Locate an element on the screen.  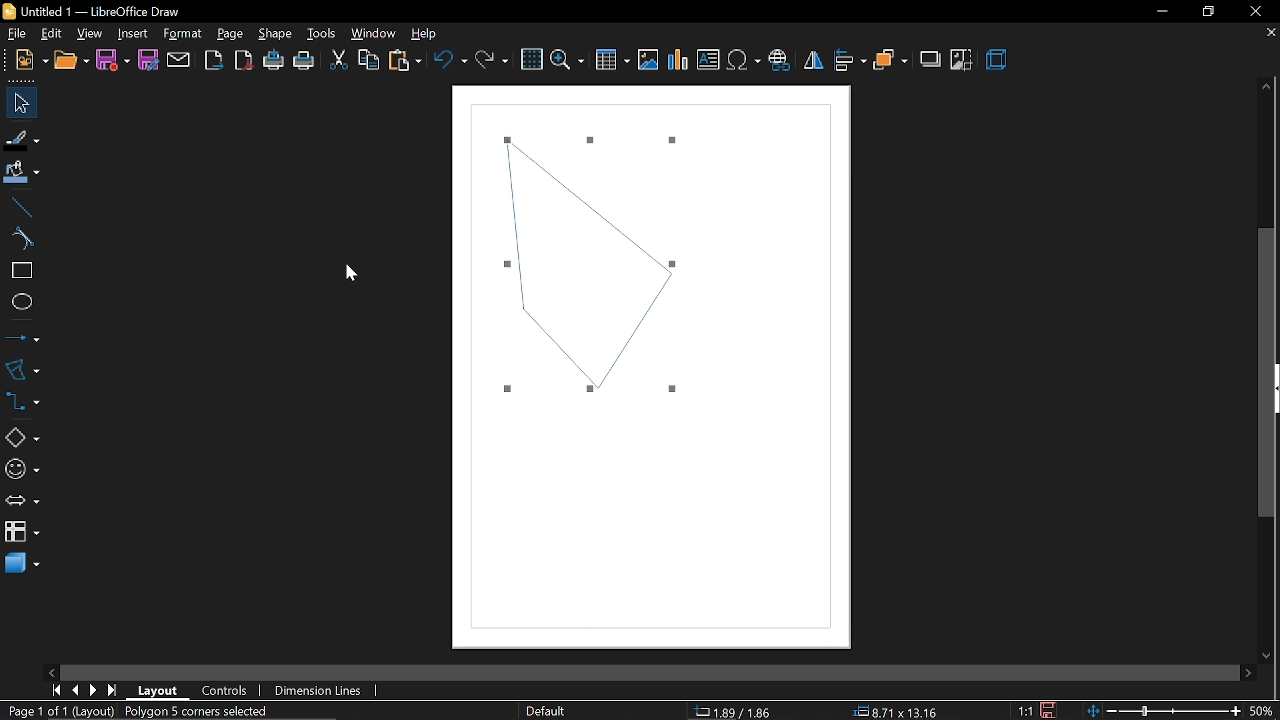
next page is located at coordinates (98, 688).